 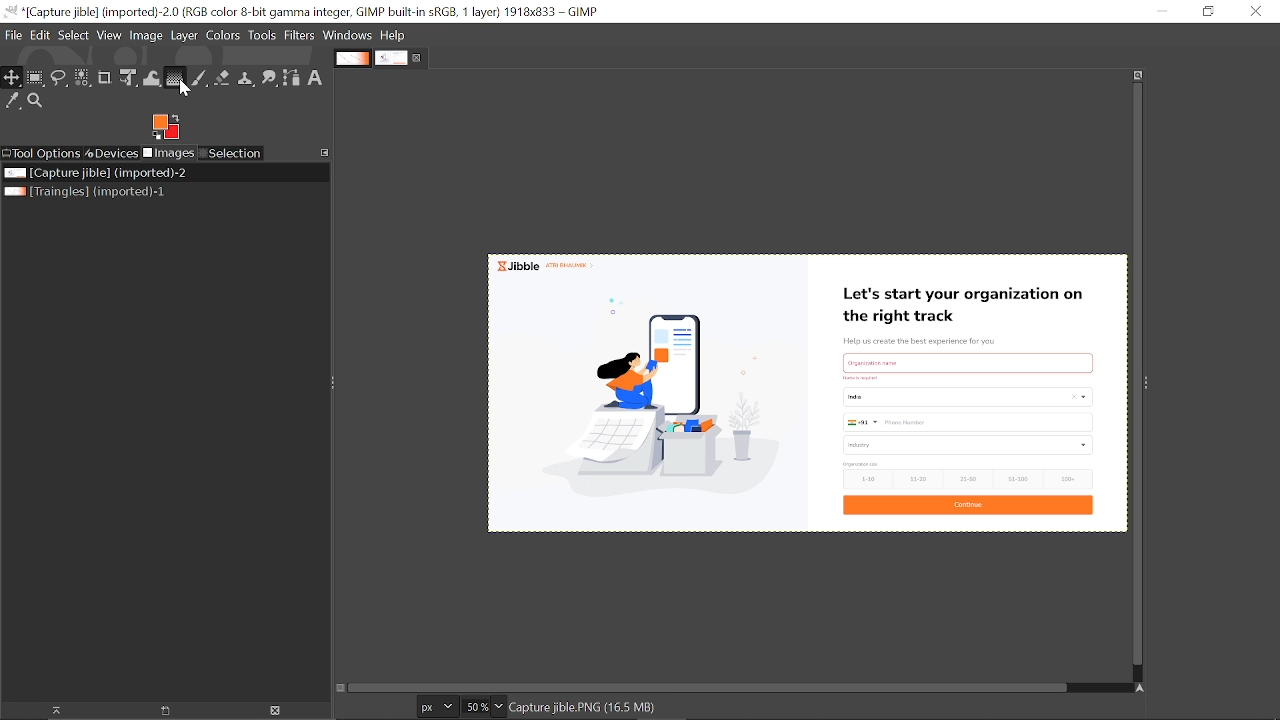 What do you see at coordinates (710, 689) in the screenshot?
I see `Horizontal scrollbar` at bounding box center [710, 689].